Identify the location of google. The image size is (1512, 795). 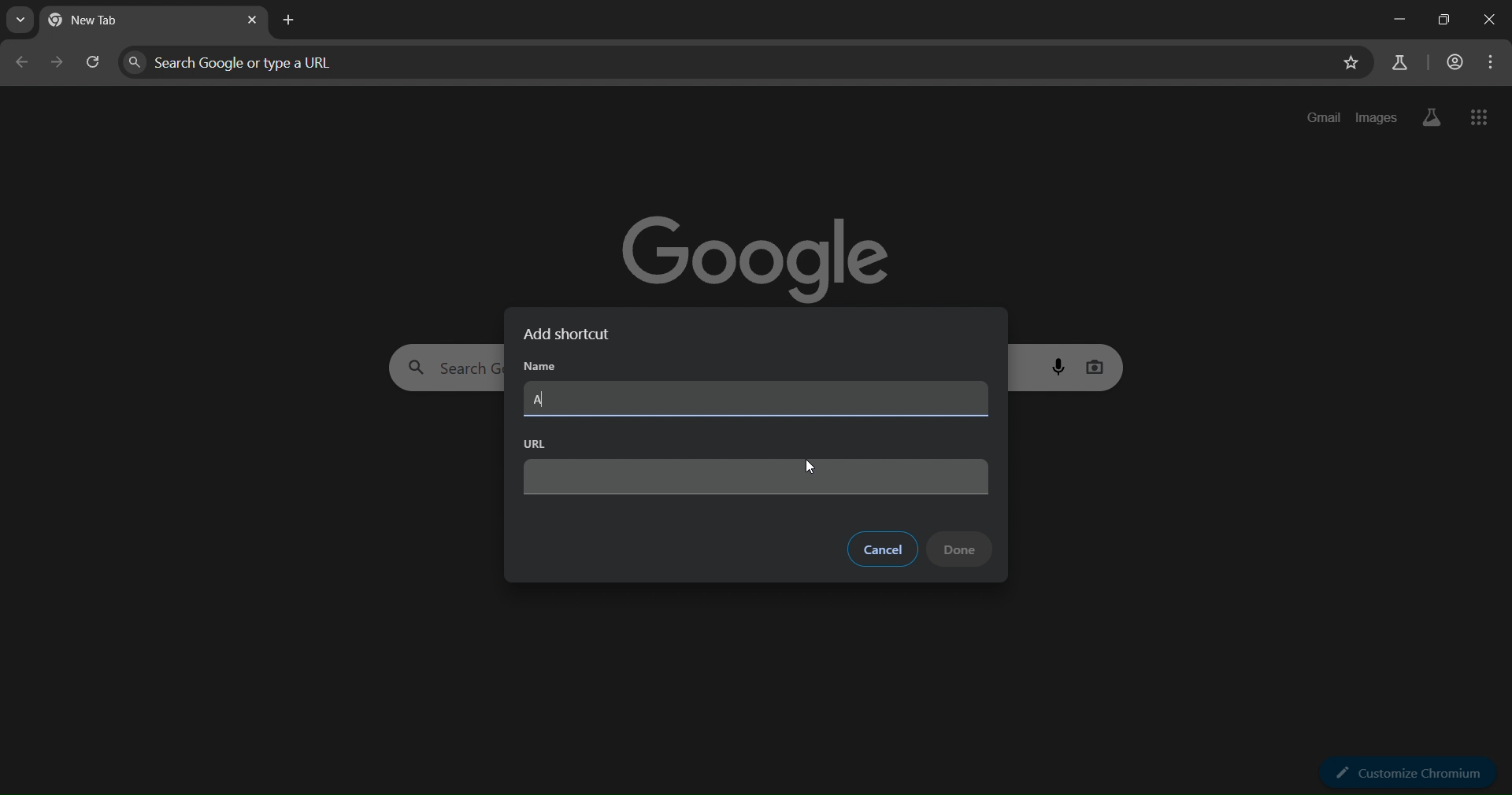
(762, 250).